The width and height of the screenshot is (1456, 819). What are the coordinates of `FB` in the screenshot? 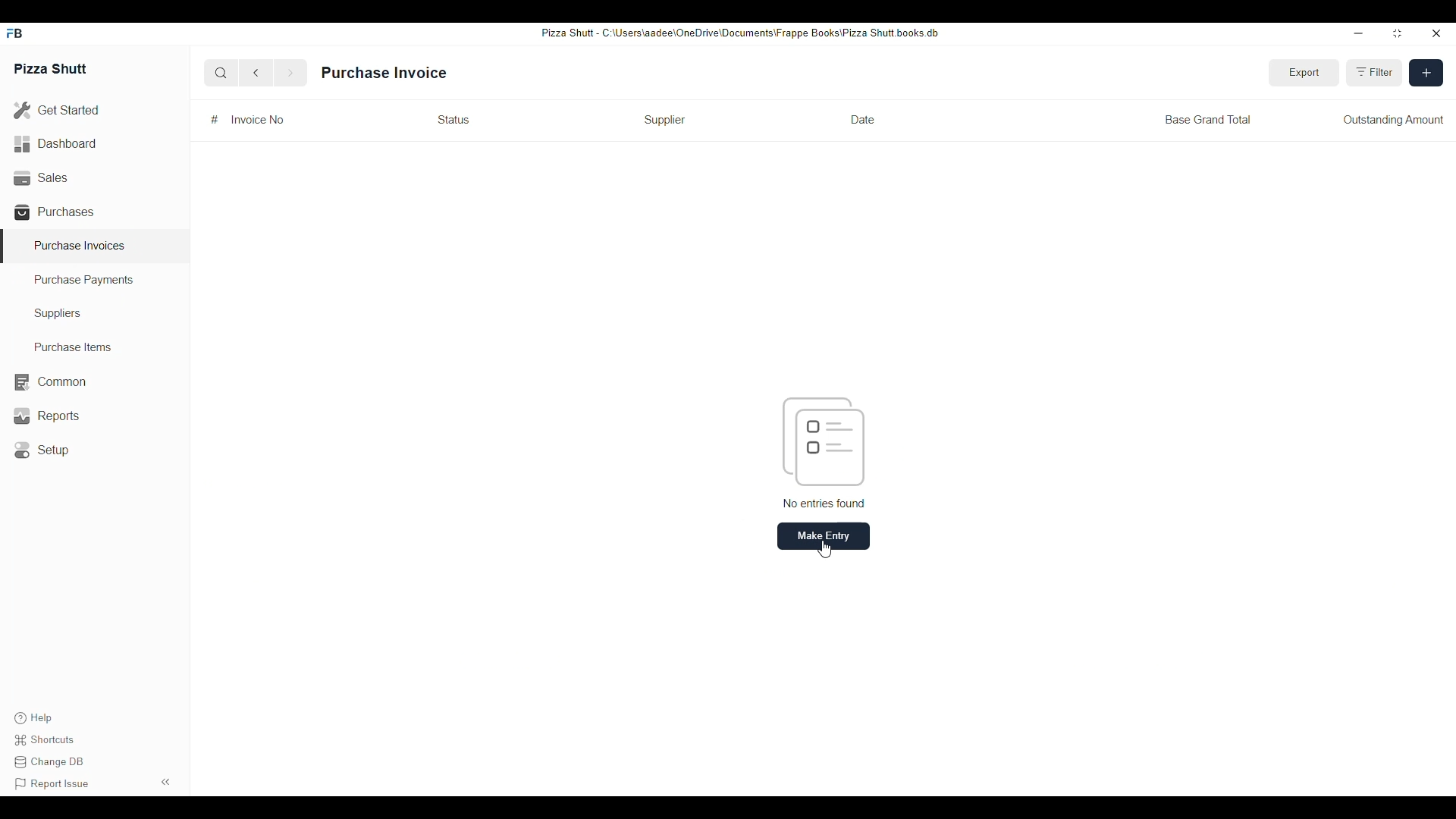 It's located at (17, 33).